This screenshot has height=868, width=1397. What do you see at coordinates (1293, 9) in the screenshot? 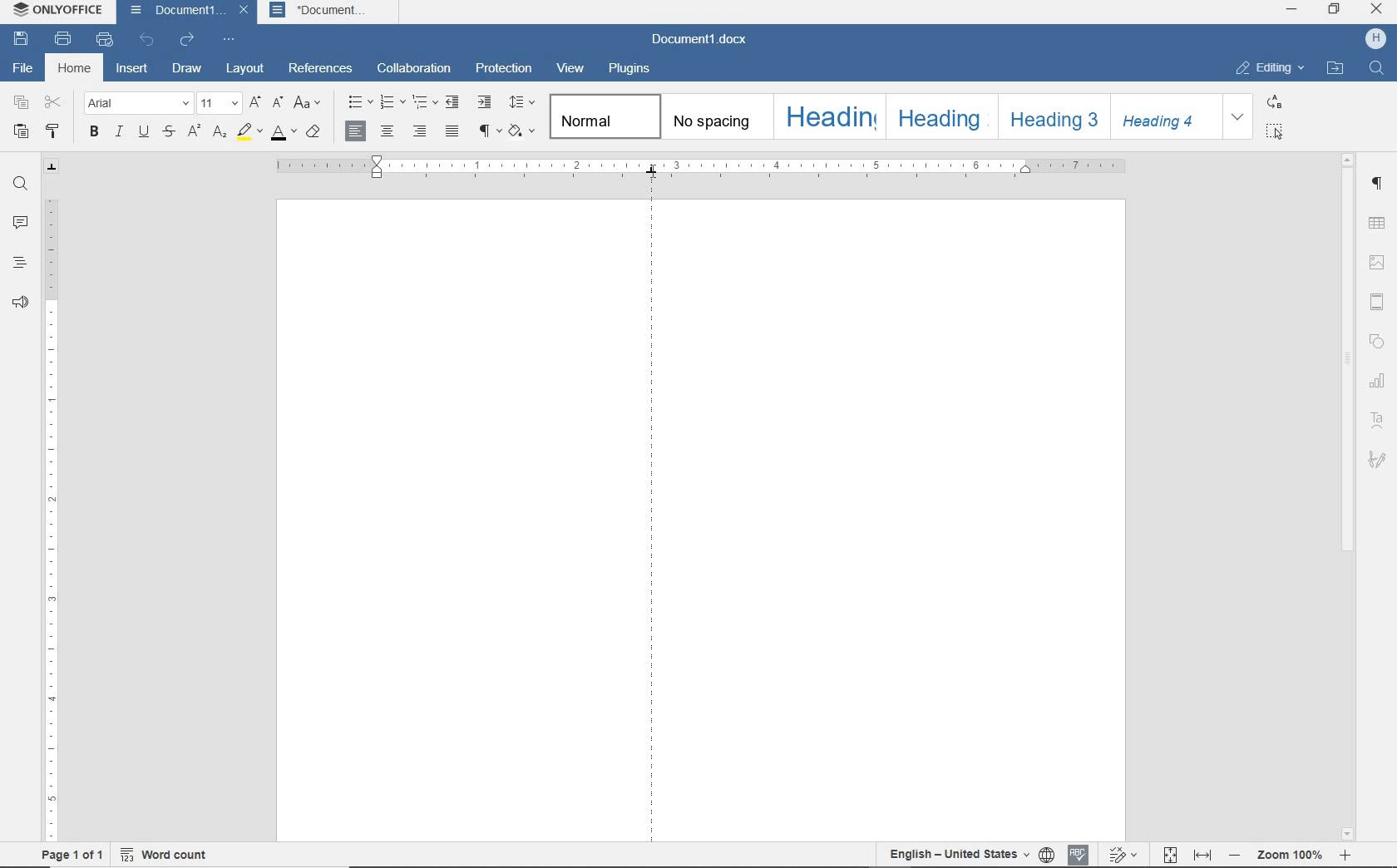
I see `MINIMIZE` at bounding box center [1293, 9].